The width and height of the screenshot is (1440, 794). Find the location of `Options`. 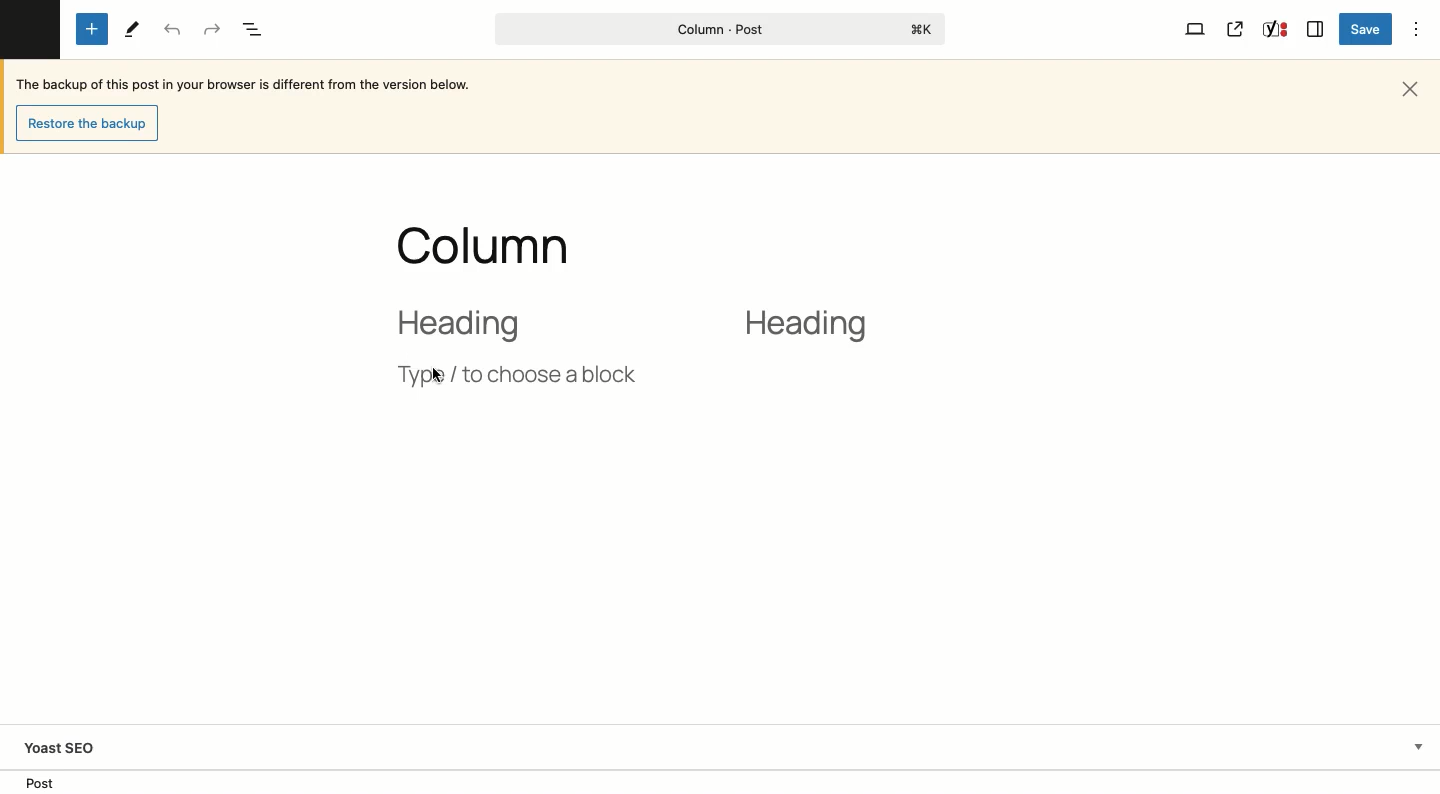

Options is located at coordinates (1418, 28).